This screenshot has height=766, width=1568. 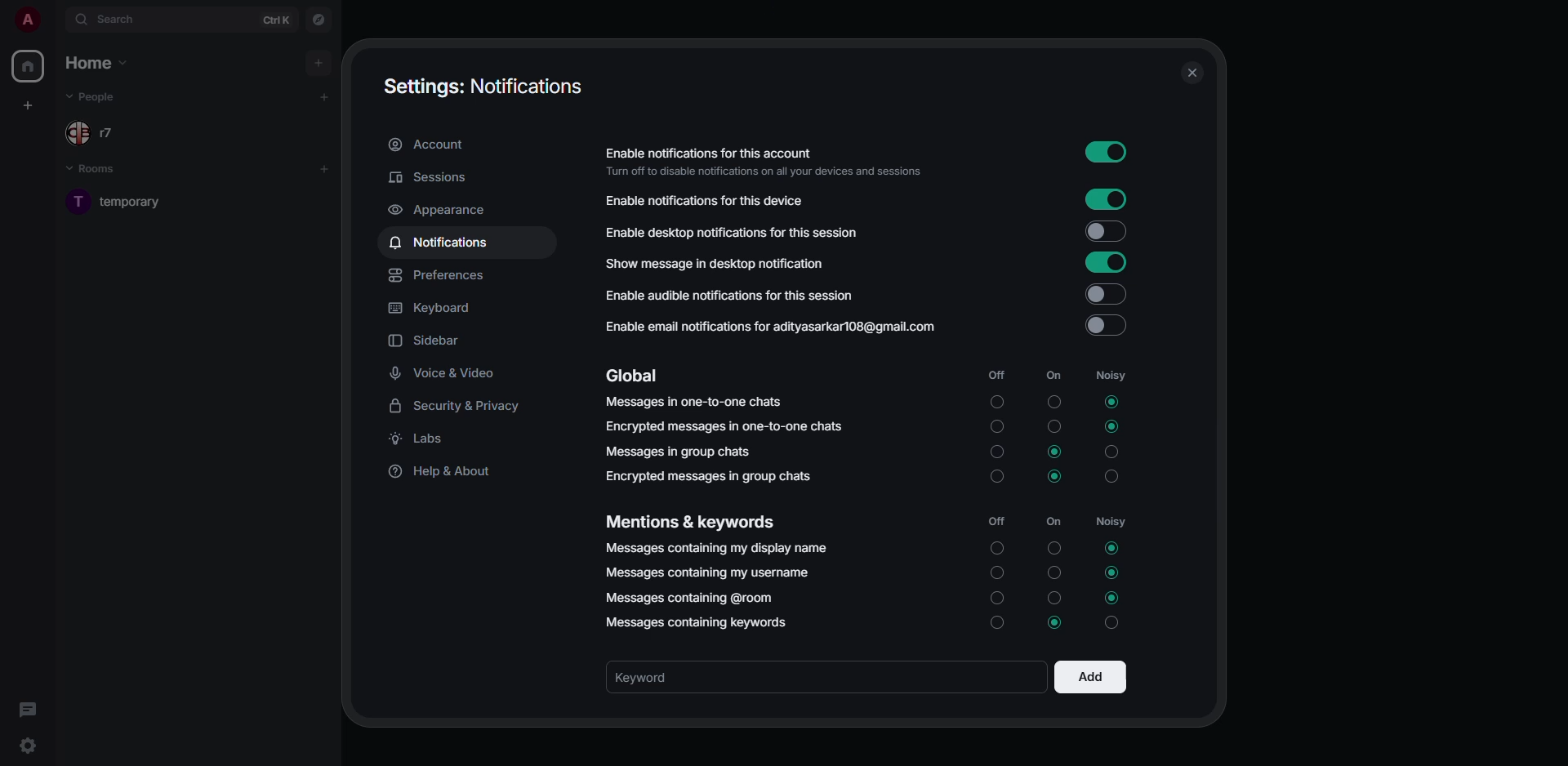 I want to click on on, so click(x=1057, y=519).